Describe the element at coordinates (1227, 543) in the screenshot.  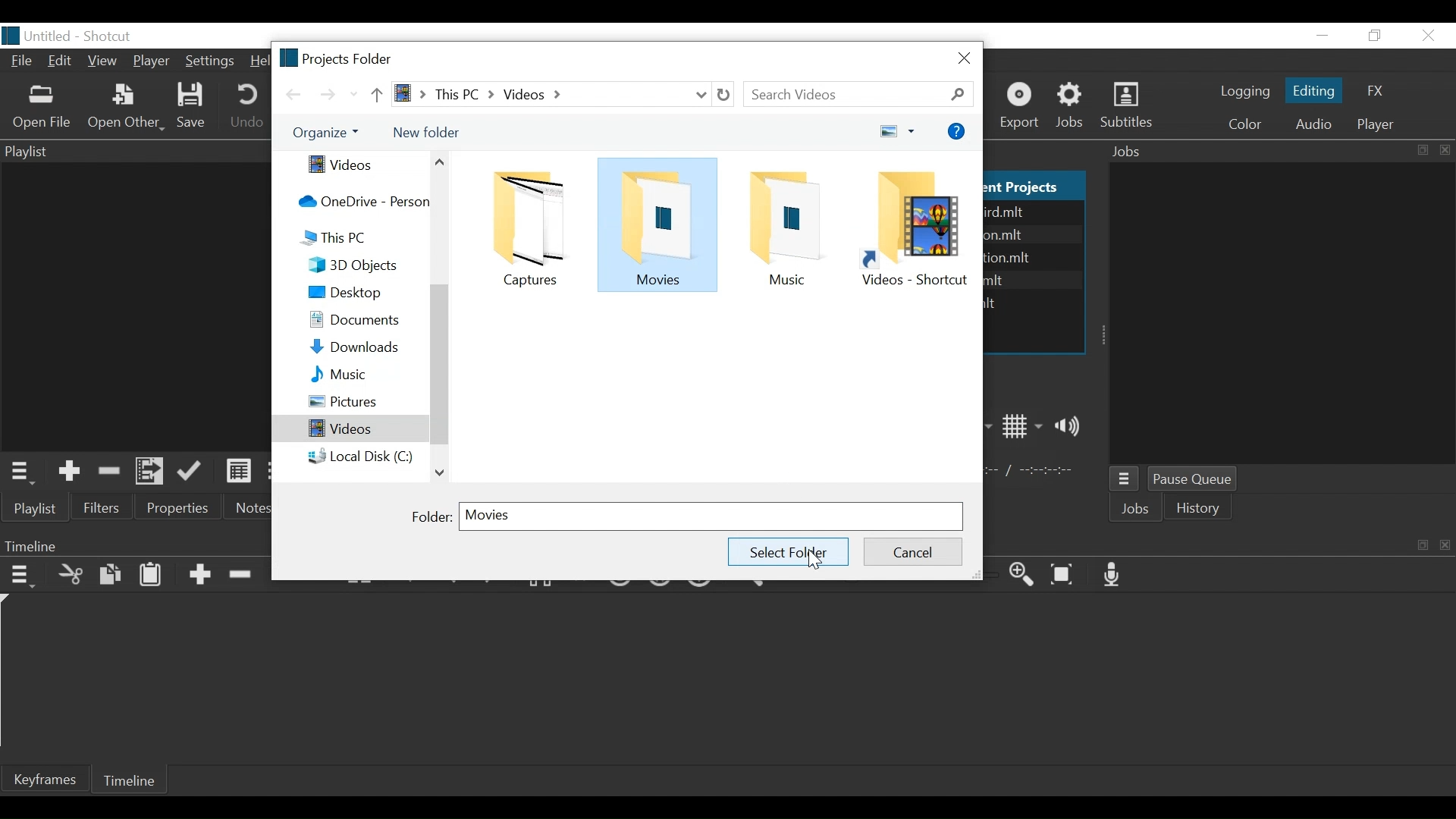
I see `Timeline Panel` at that location.